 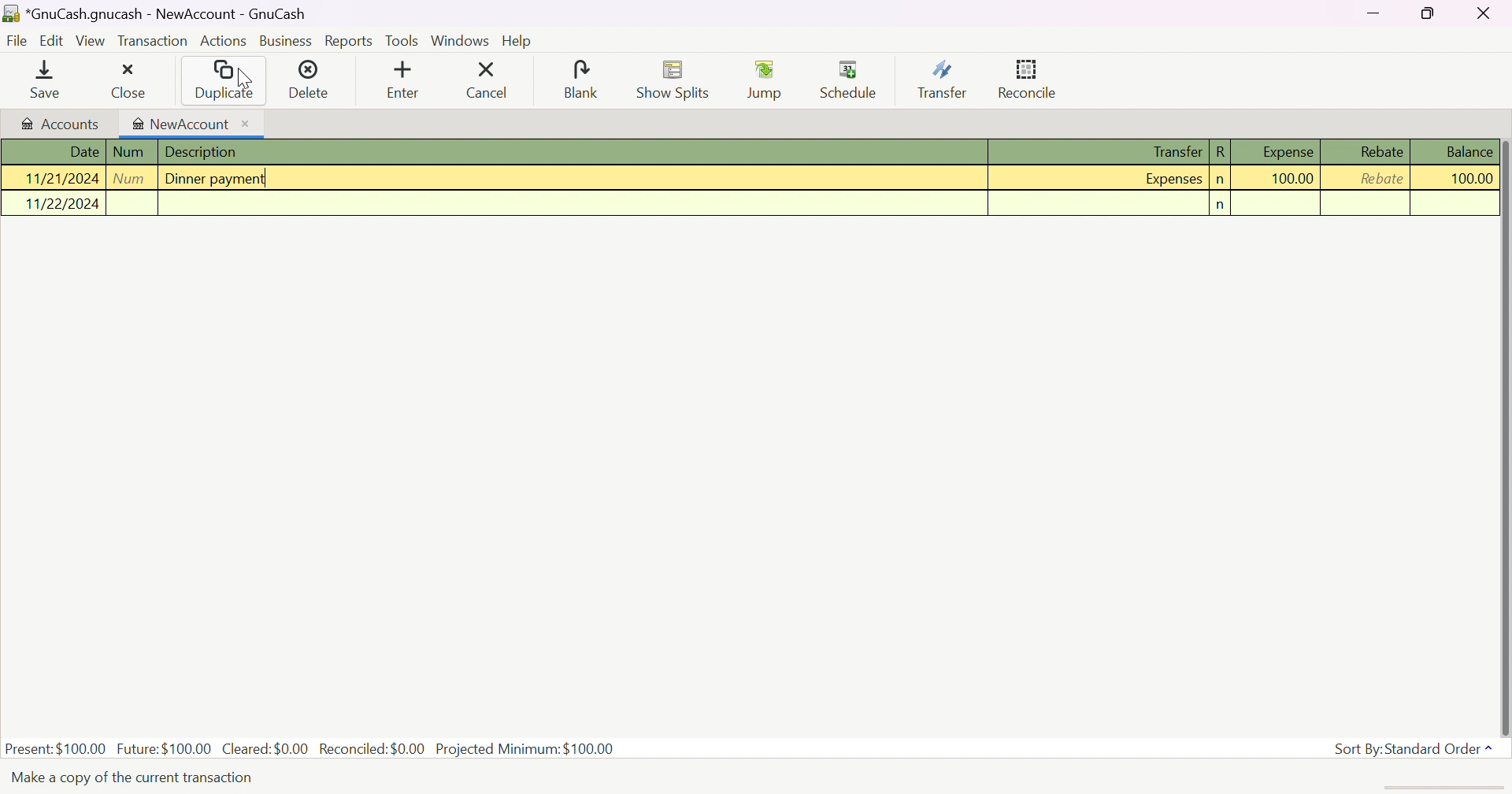 I want to click on Reconciled: $0.00, so click(x=374, y=748).